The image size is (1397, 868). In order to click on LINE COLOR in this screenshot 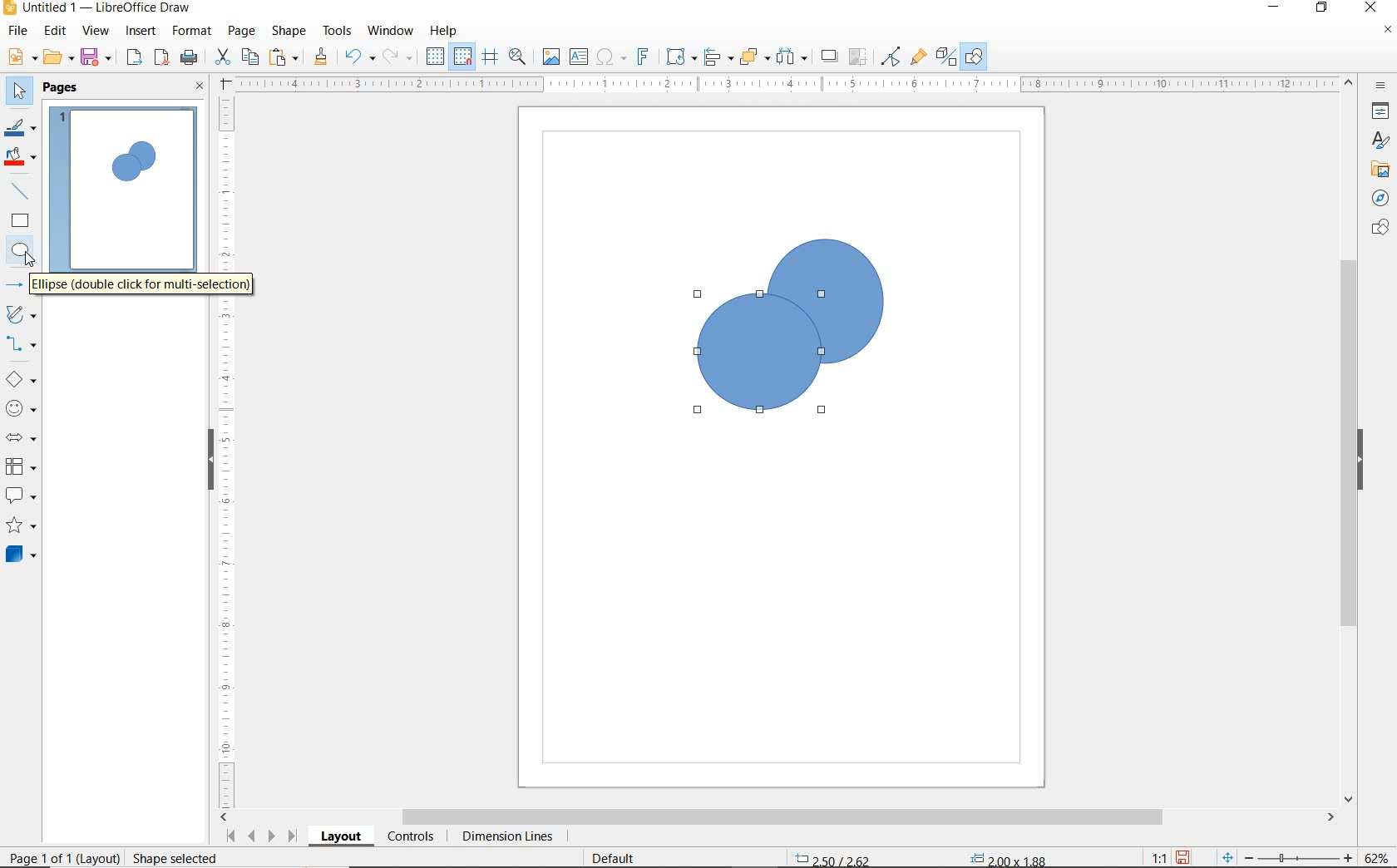, I will do `click(20, 127)`.